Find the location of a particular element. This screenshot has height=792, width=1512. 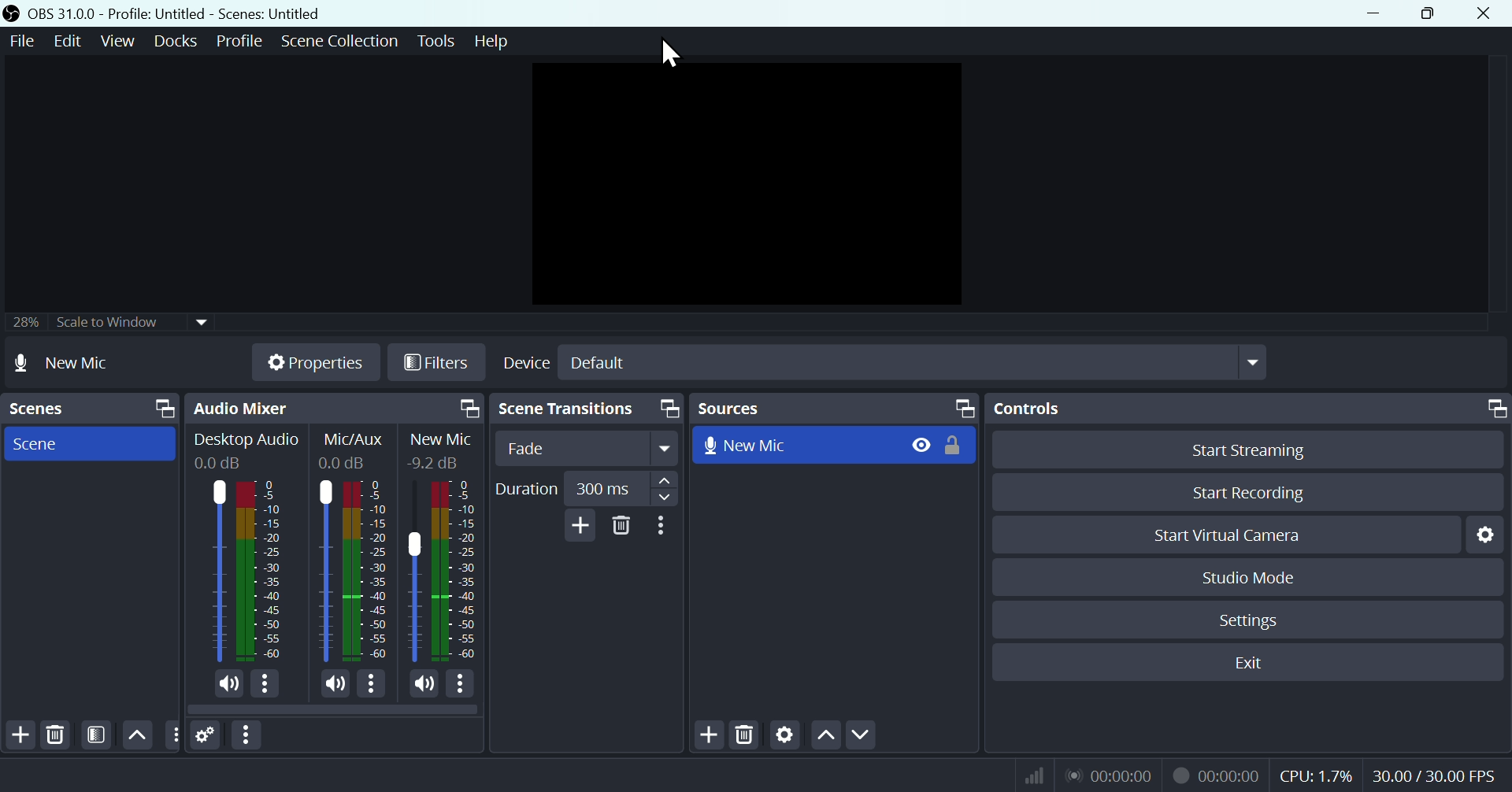

Audio mixer is located at coordinates (332, 409).